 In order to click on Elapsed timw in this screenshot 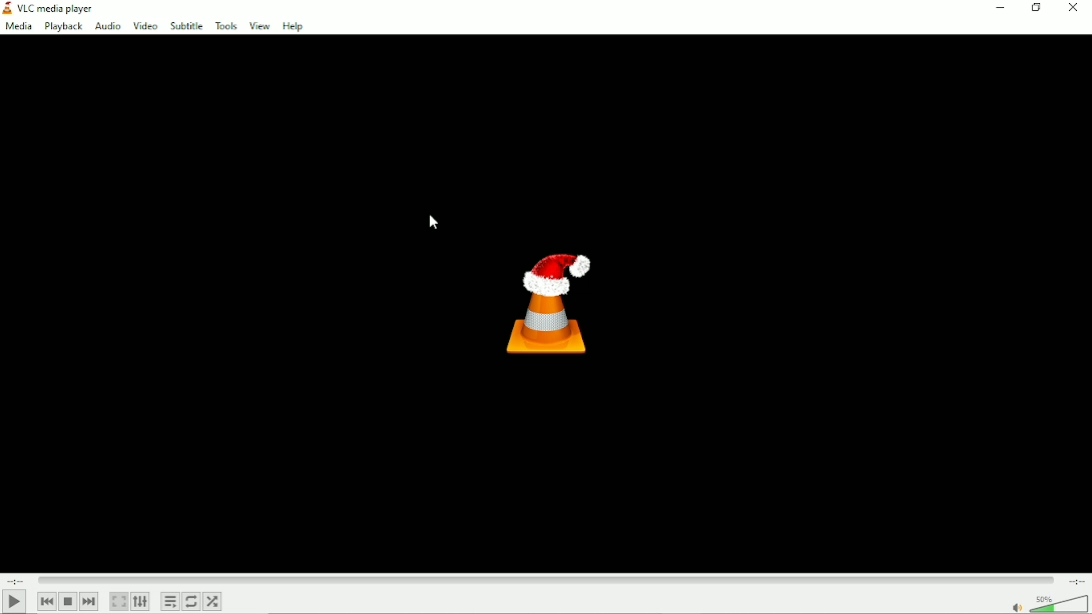, I will do `click(13, 580)`.